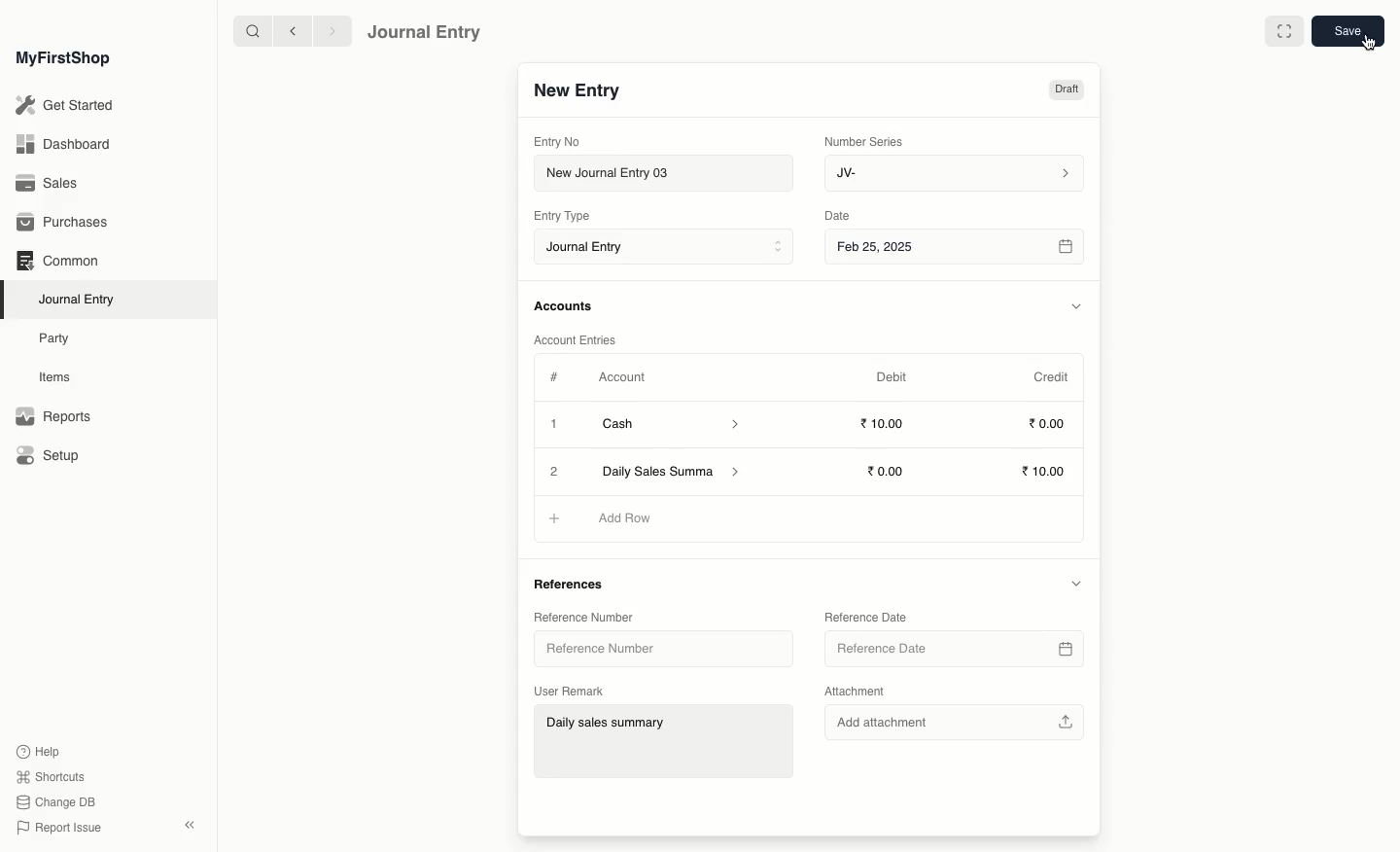 The height and width of the screenshot is (852, 1400). What do you see at coordinates (568, 216) in the screenshot?
I see `Entry Type` at bounding box center [568, 216].